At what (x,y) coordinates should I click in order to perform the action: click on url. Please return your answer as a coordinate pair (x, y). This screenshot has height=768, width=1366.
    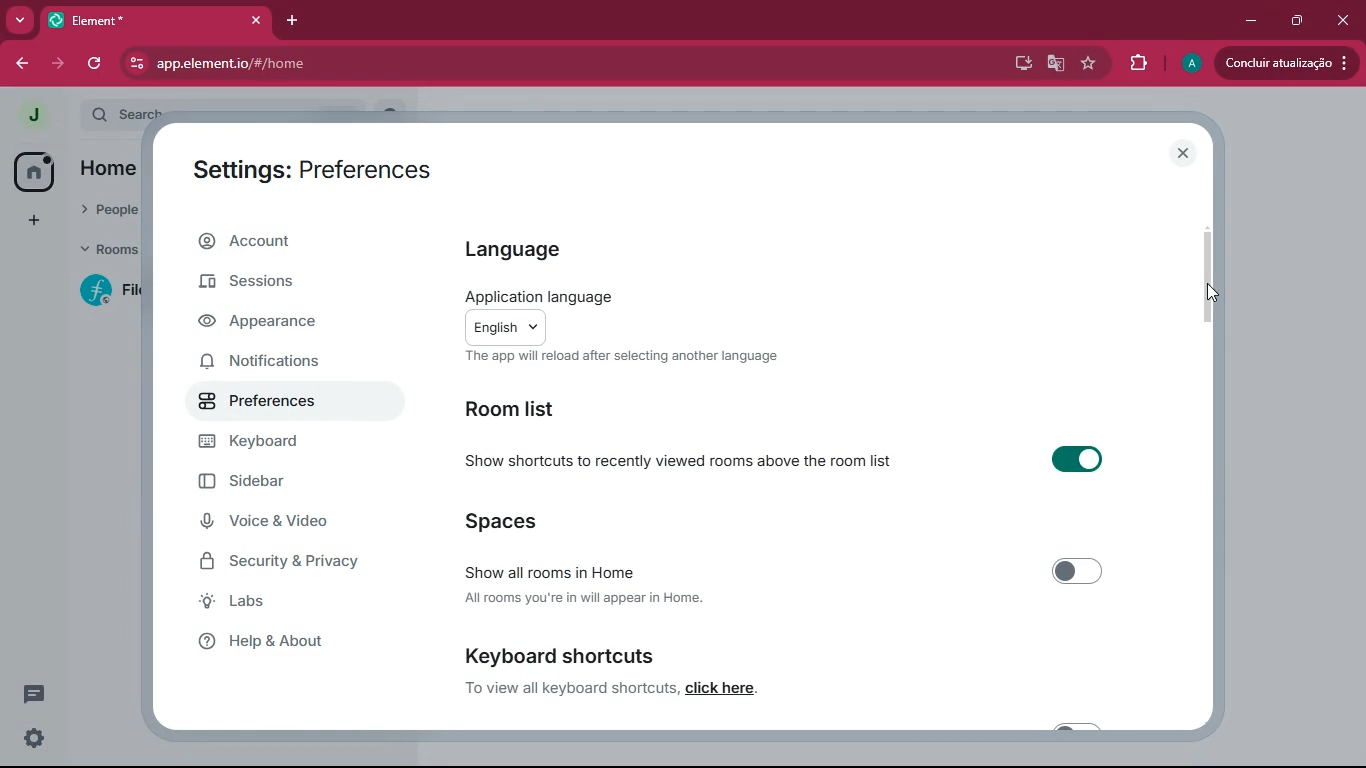
    Looking at the image, I should click on (289, 64).